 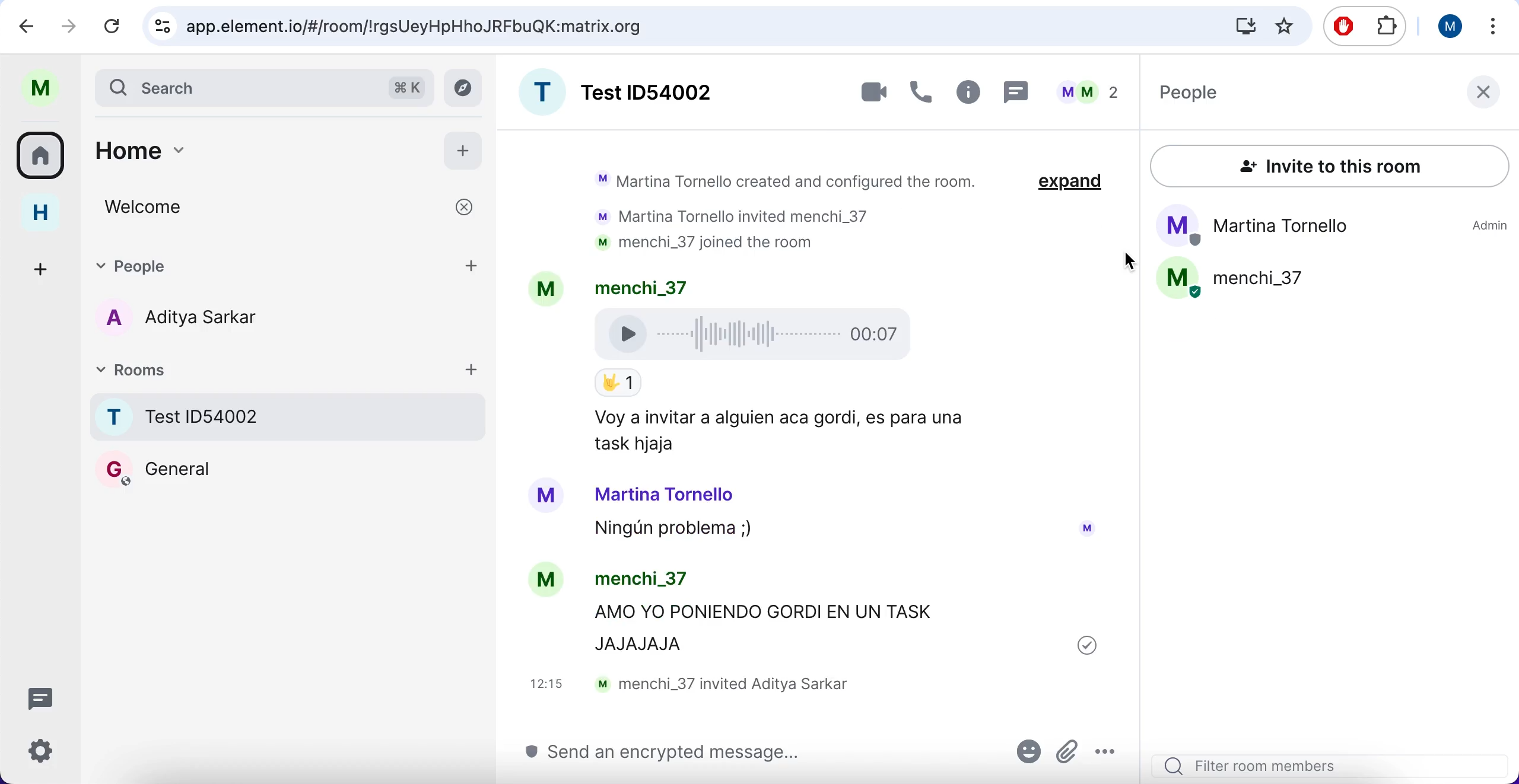 What do you see at coordinates (546, 678) in the screenshot?
I see `12: 13` at bounding box center [546, 678].